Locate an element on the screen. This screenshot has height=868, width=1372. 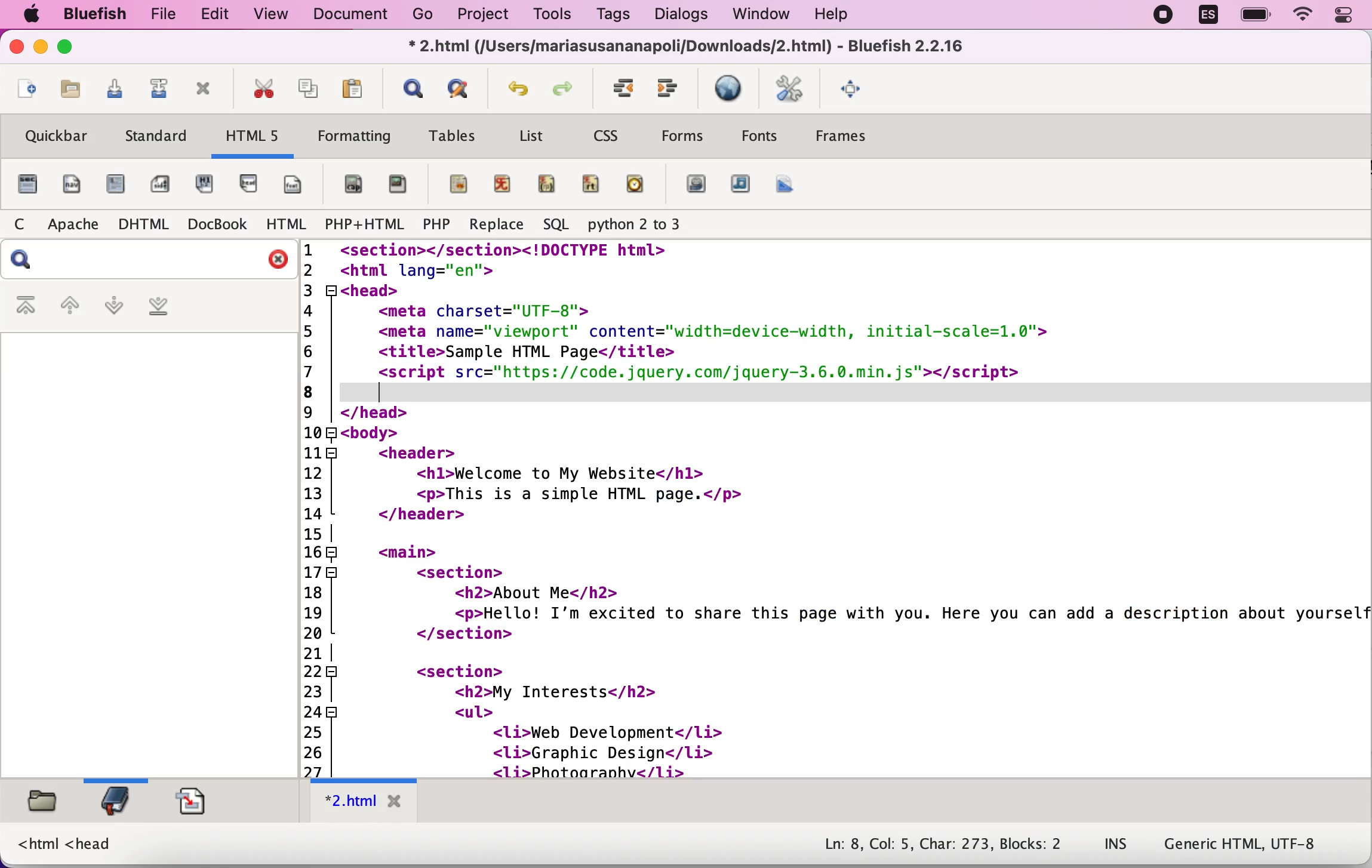
c is located at coordinates (26, 224).